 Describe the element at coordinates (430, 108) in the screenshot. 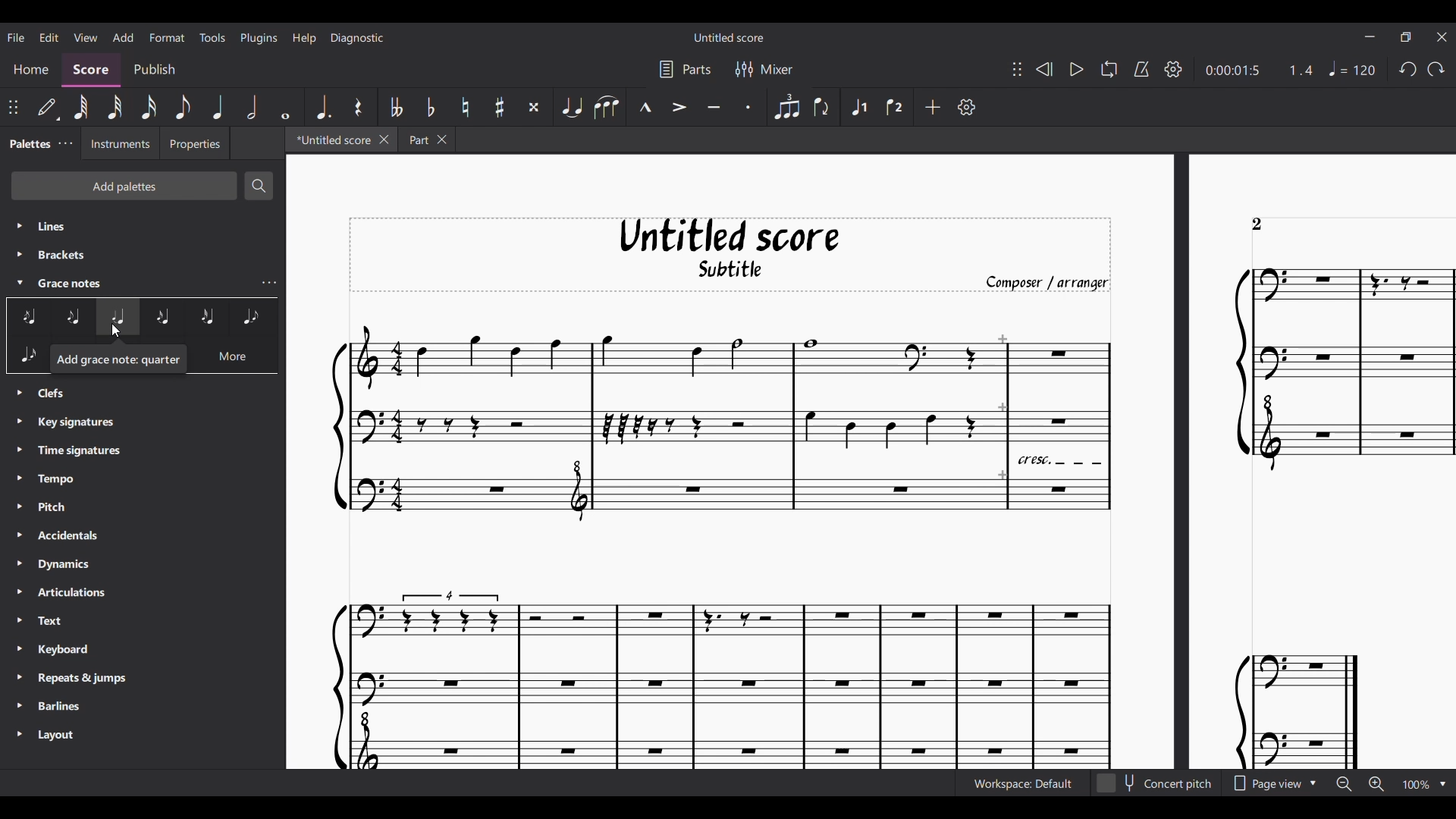

I see `Toggle flat` at that location.